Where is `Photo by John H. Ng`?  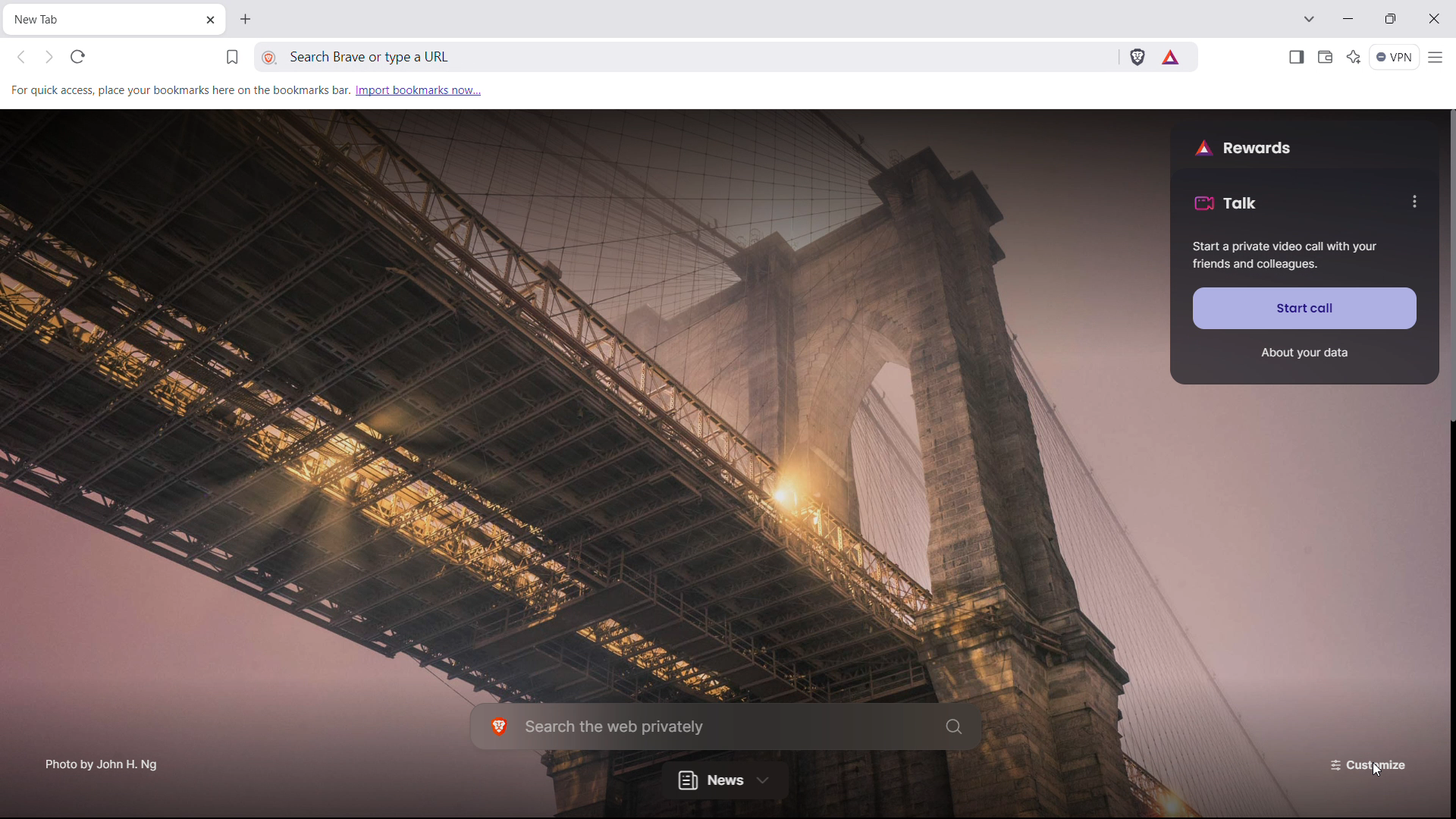 Photo by John H. Ng is located at coordinates (102, 759).